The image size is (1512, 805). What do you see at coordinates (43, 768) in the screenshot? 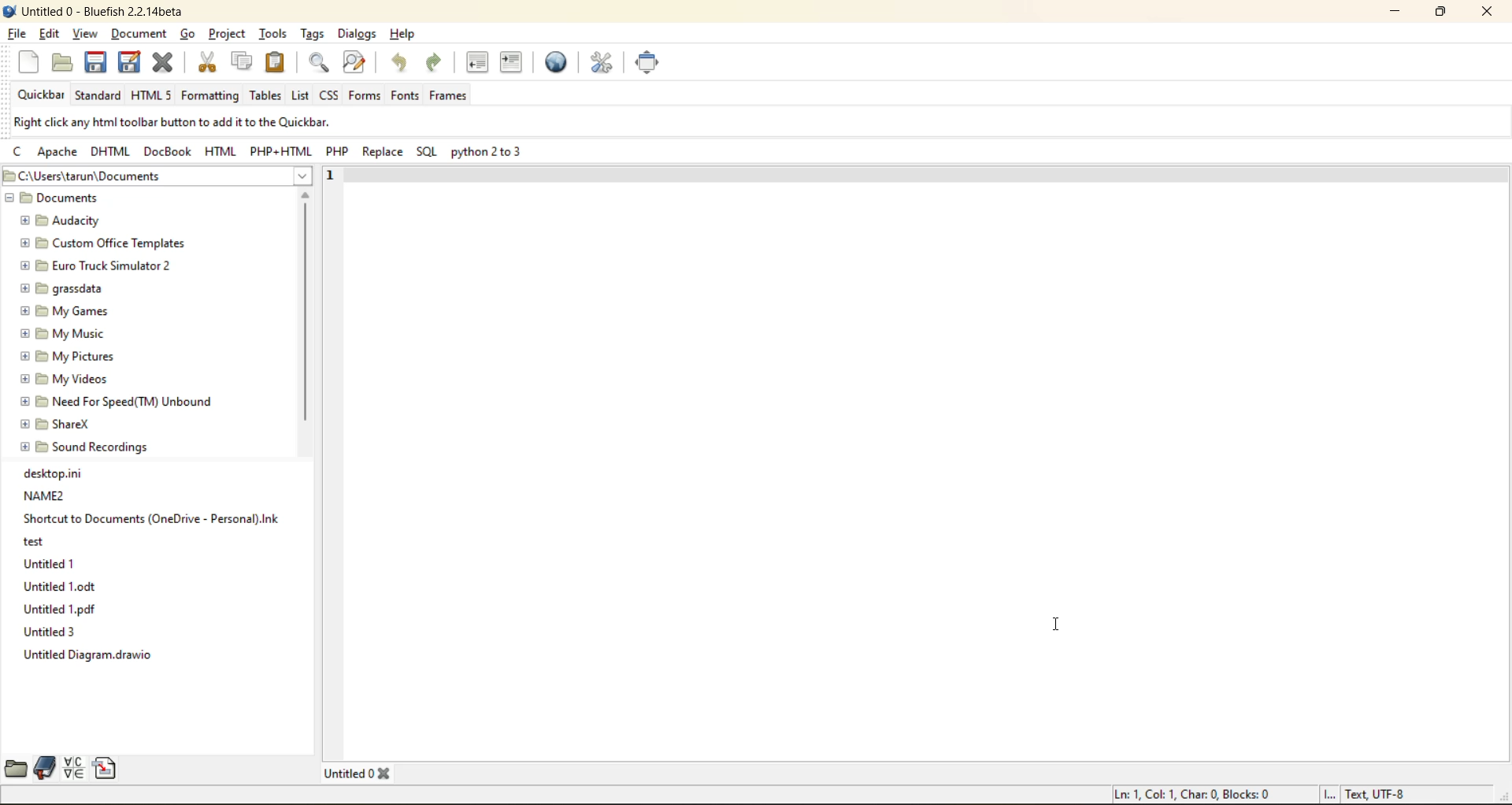
I see `bookmarks` at bounding box center [43, 768].